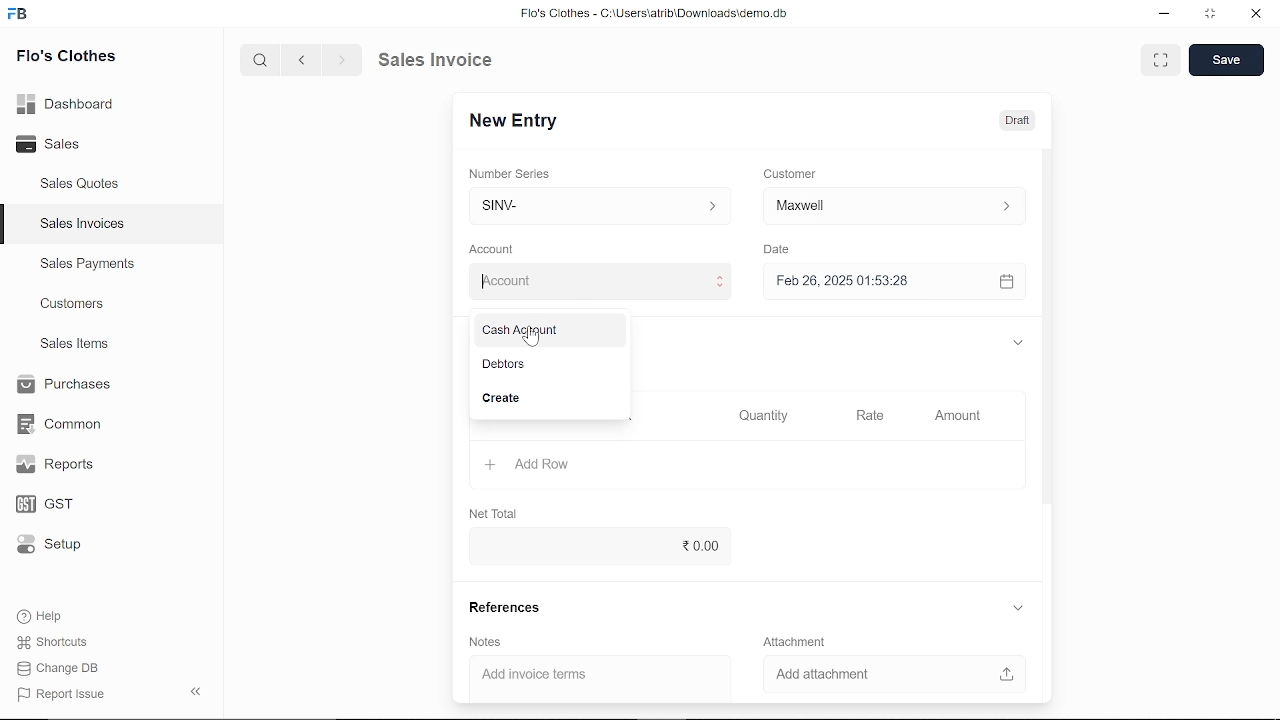 This screenshot has width=1280, height=720. I want to click on Sales Quotes, so click(82, 185).